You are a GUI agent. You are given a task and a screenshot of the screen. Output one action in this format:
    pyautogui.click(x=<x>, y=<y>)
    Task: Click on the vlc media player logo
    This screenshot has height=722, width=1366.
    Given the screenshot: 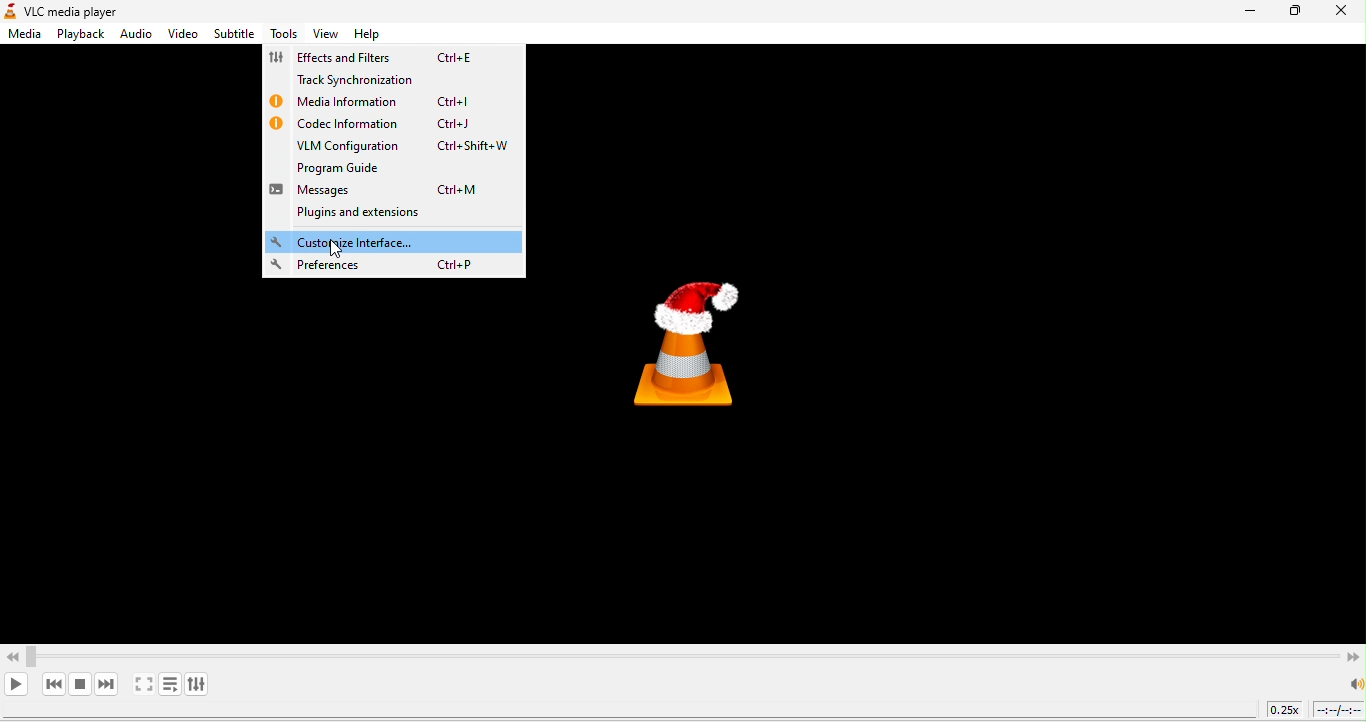 What is the action you would take?
    pyautogui.click(x=689, y=345)
    